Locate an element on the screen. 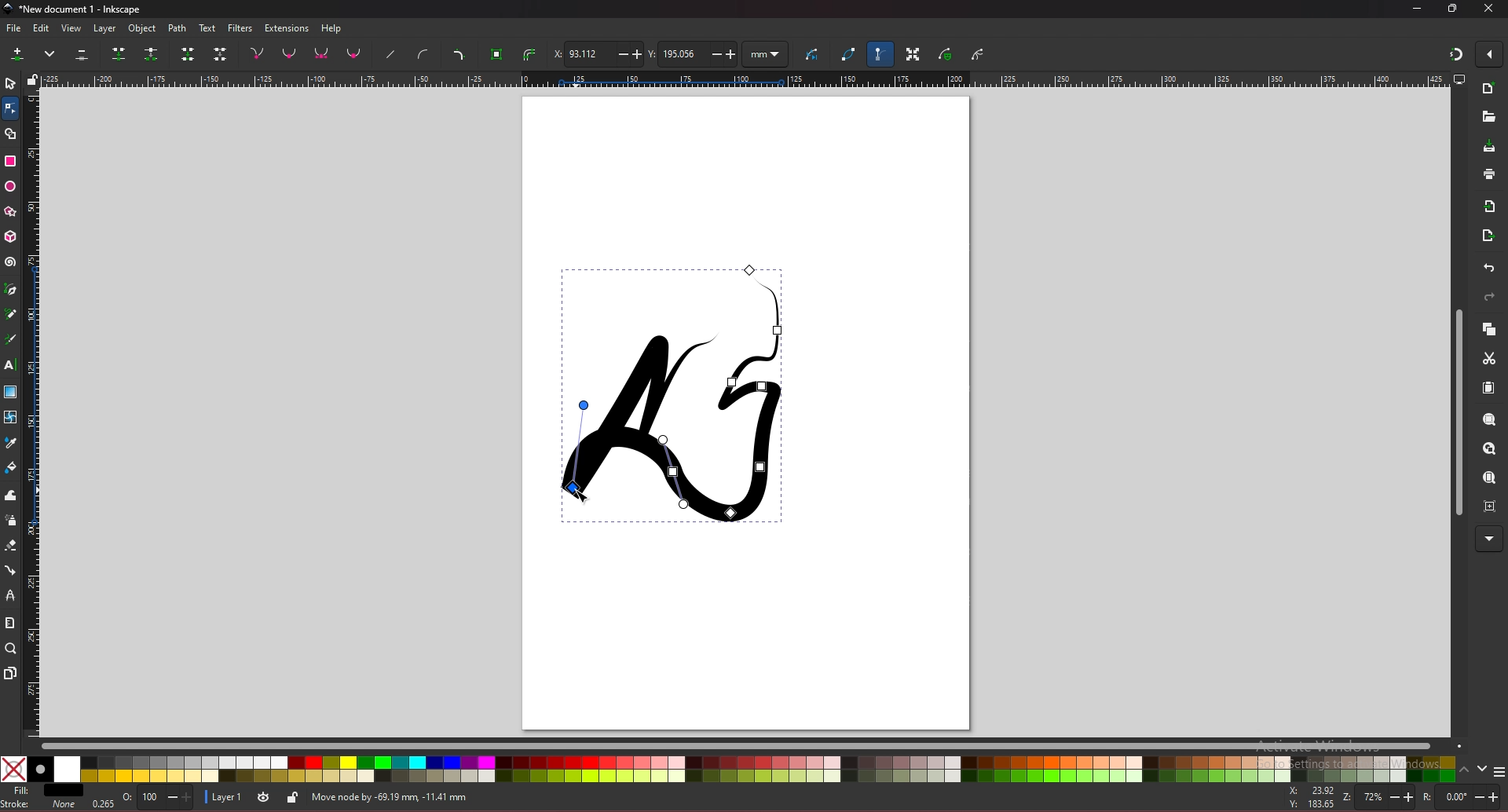 This screenshot has width=1508, height=812. units is located at coordinates (766, 55).